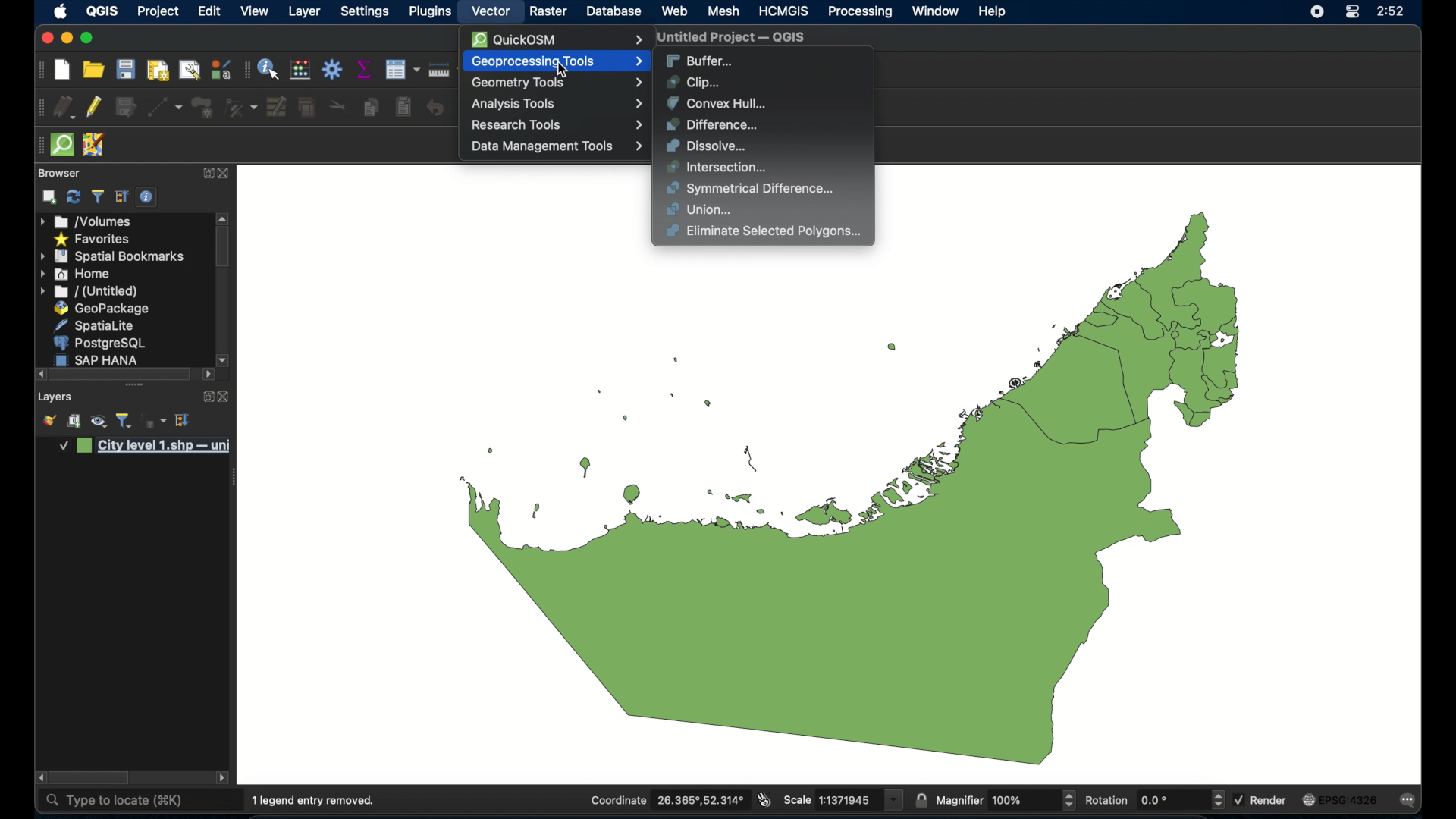 The image size is (1456, 819). Describe the element at coordinates (86, 221) in the screenshot. I see `volumes` at that location.